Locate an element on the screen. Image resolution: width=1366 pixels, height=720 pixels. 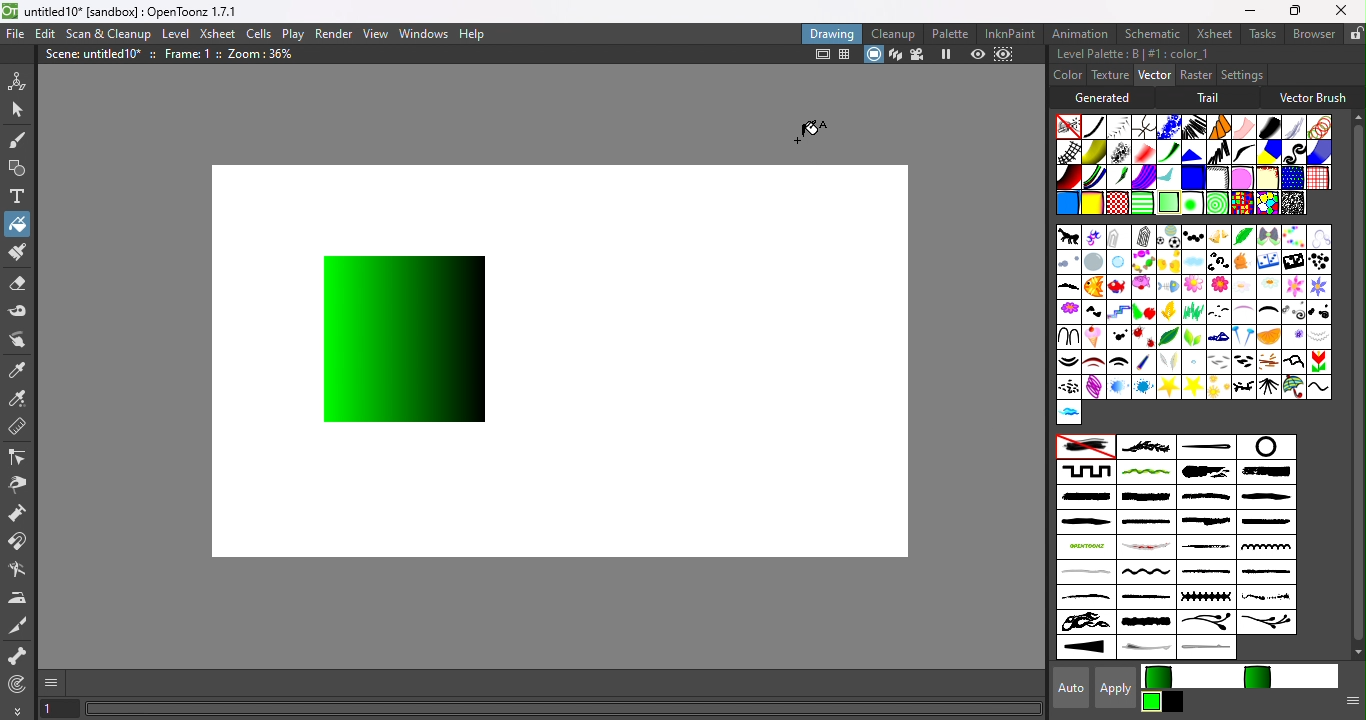
small_brush is located at coordinates (1208, 574).